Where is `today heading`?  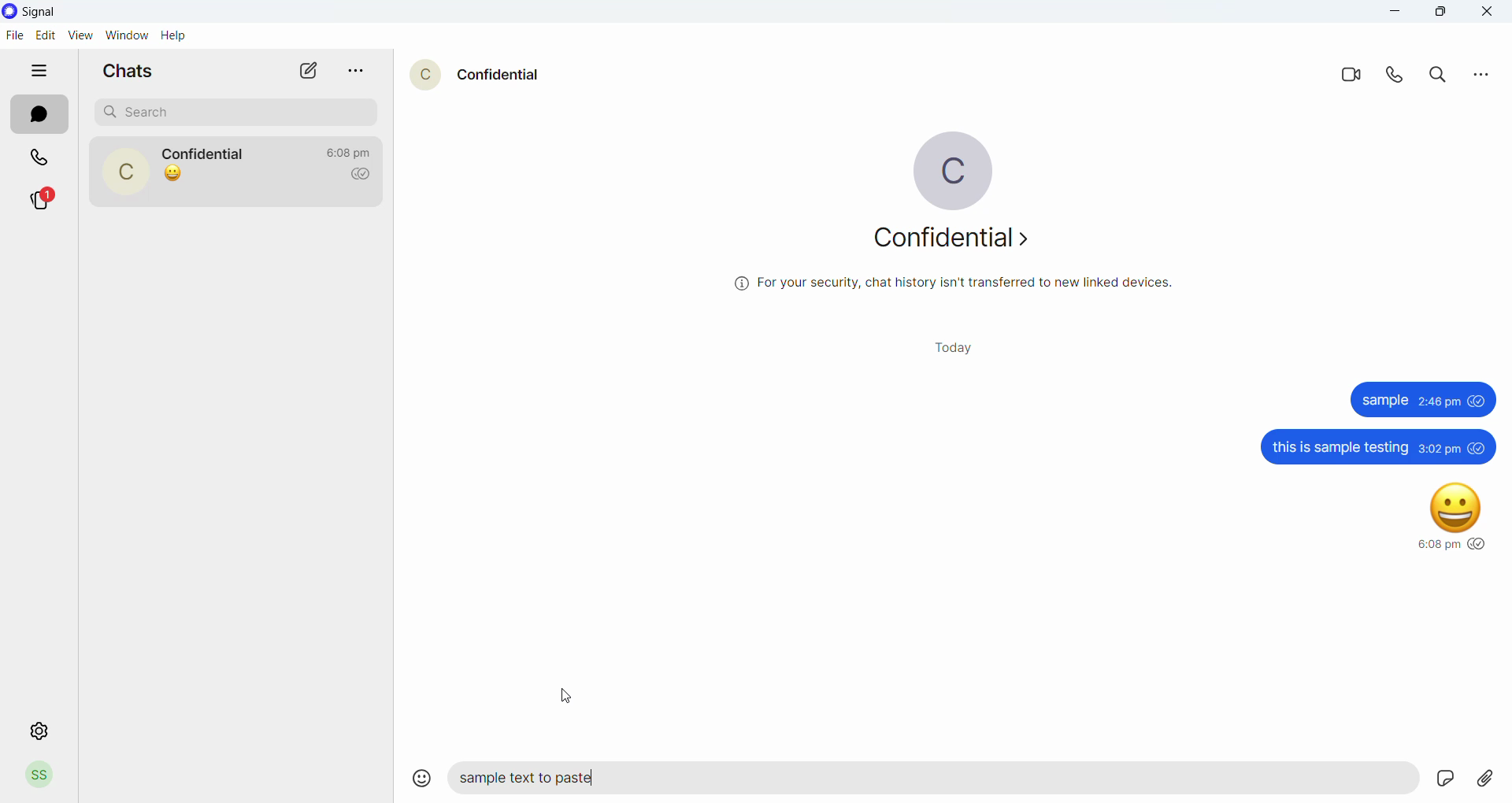 today heading is located at coordinates (960, 352).